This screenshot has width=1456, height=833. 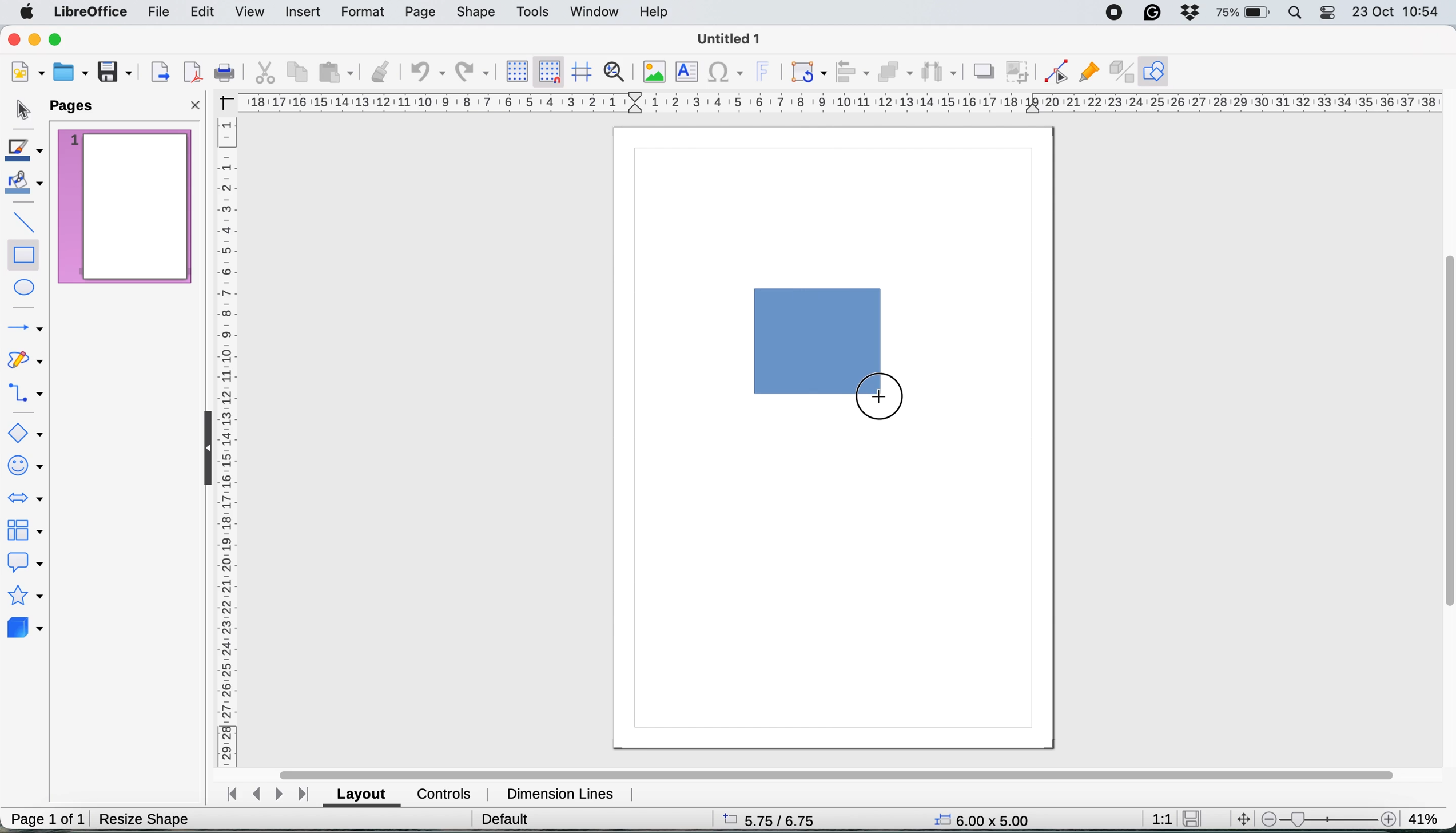 I want to click on export directly as pdf, so click(x=193, y=73).